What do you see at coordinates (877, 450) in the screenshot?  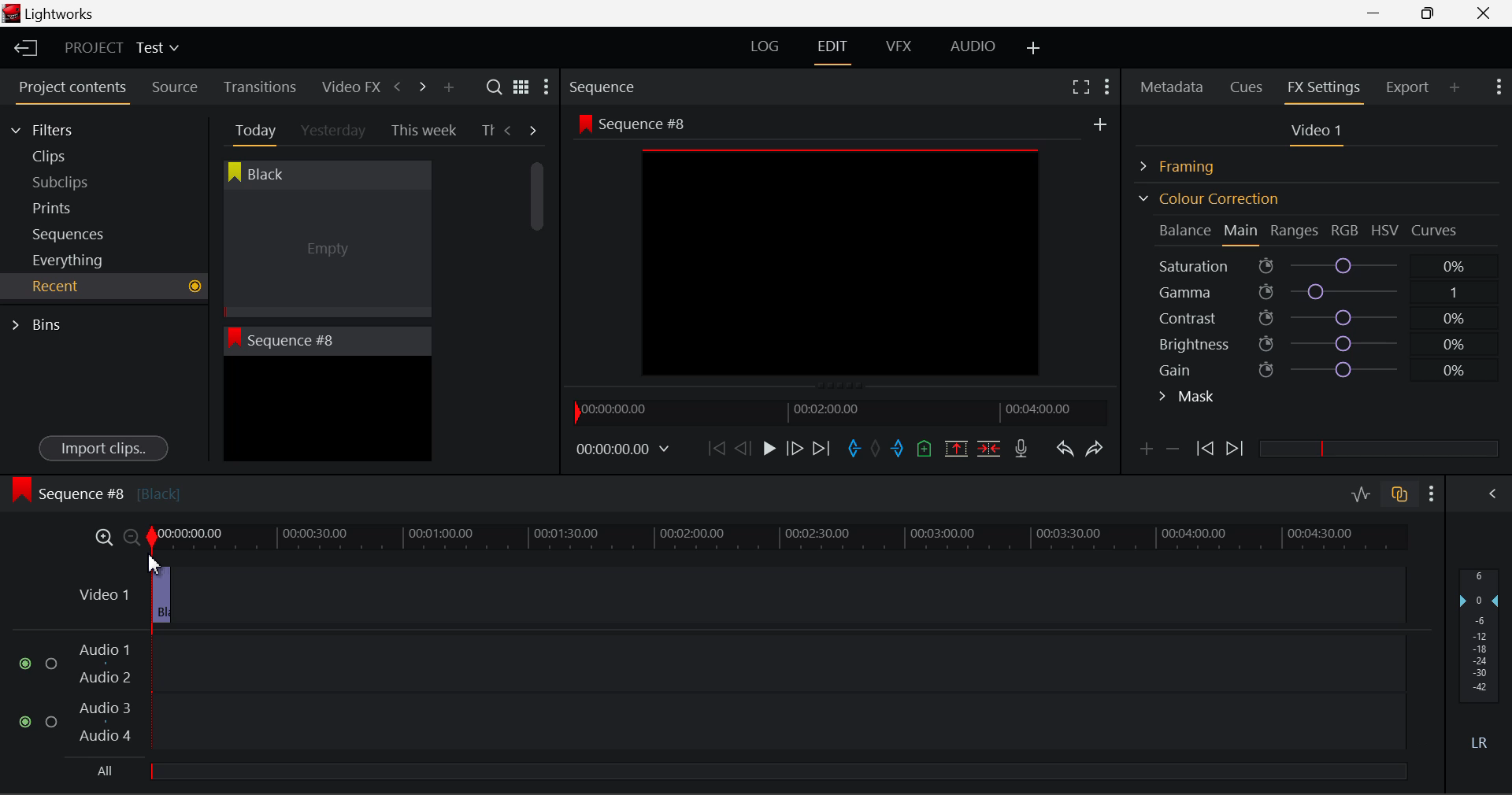 I see `Remove All Marks` at bounding box center [877, 450].